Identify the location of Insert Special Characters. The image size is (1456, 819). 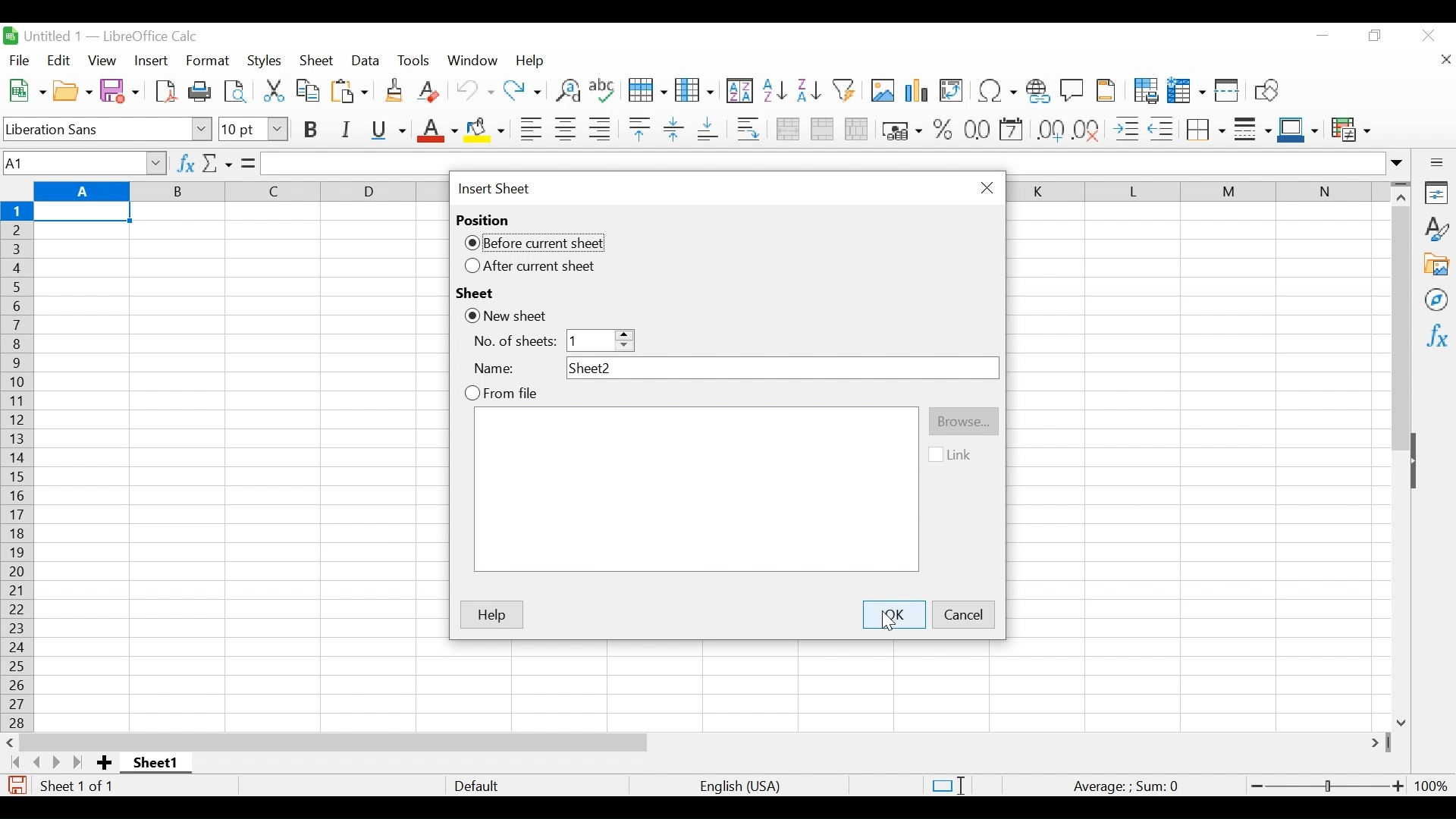
(996, 91).